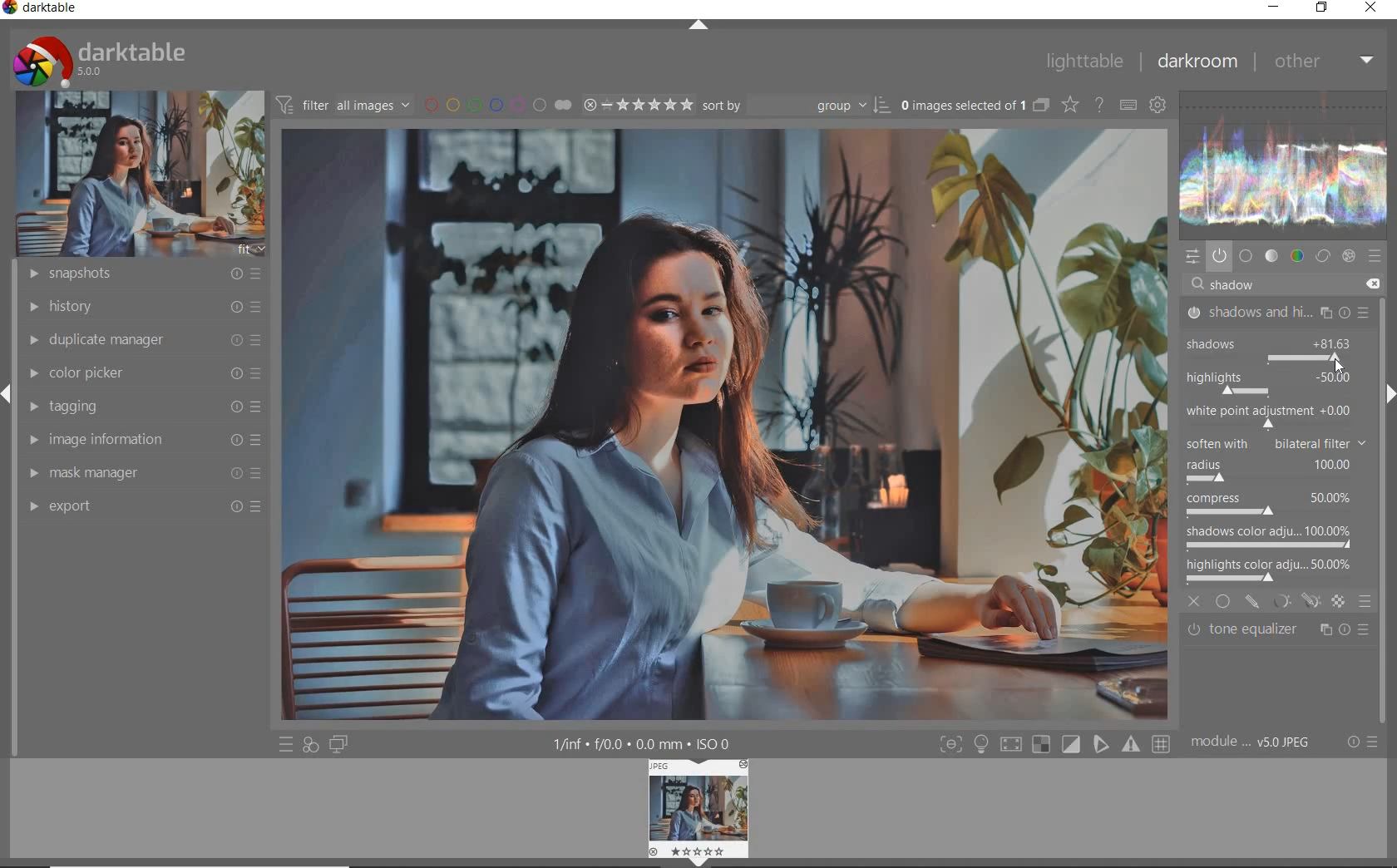 The height and width of the screenshot is (868, 1397). I want to click on reset or presets & preferences , so click(1361, 742).